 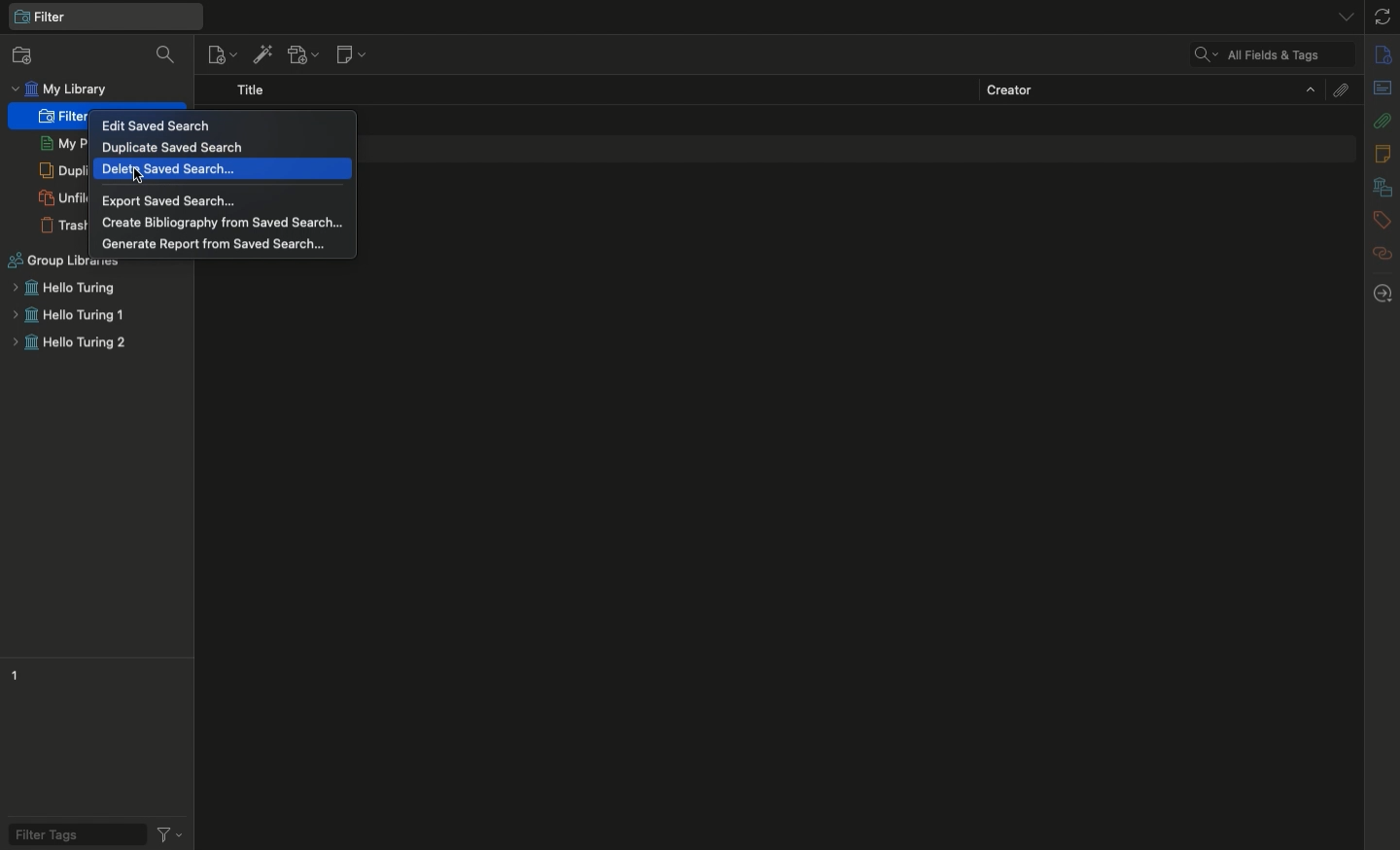 What do you see at coordinates (58, 145) in the screenshot?
I see `My publications` at bounding box center [58, 145].